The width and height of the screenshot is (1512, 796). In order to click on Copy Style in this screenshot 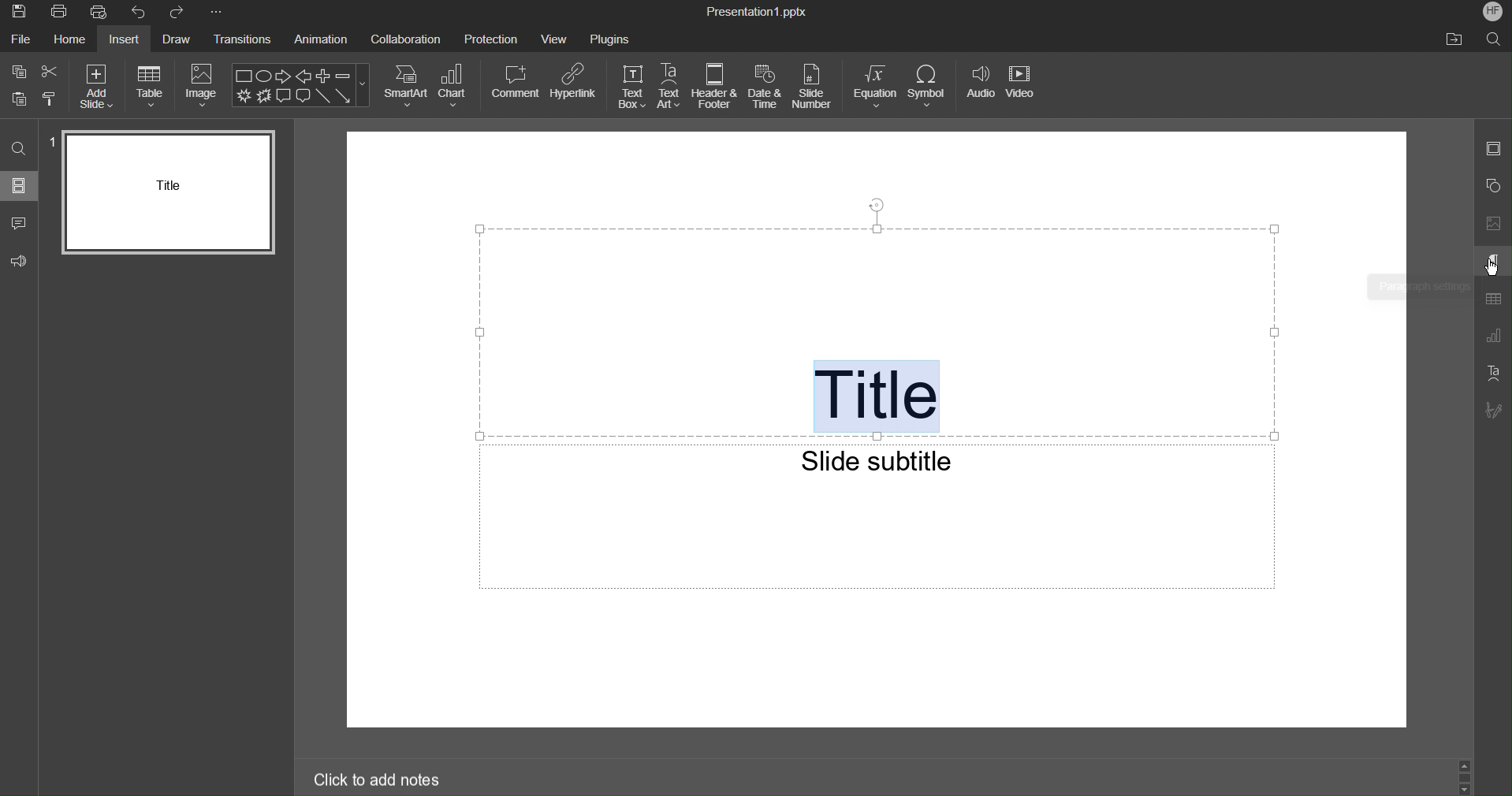, I will do `click(50, 99)`.